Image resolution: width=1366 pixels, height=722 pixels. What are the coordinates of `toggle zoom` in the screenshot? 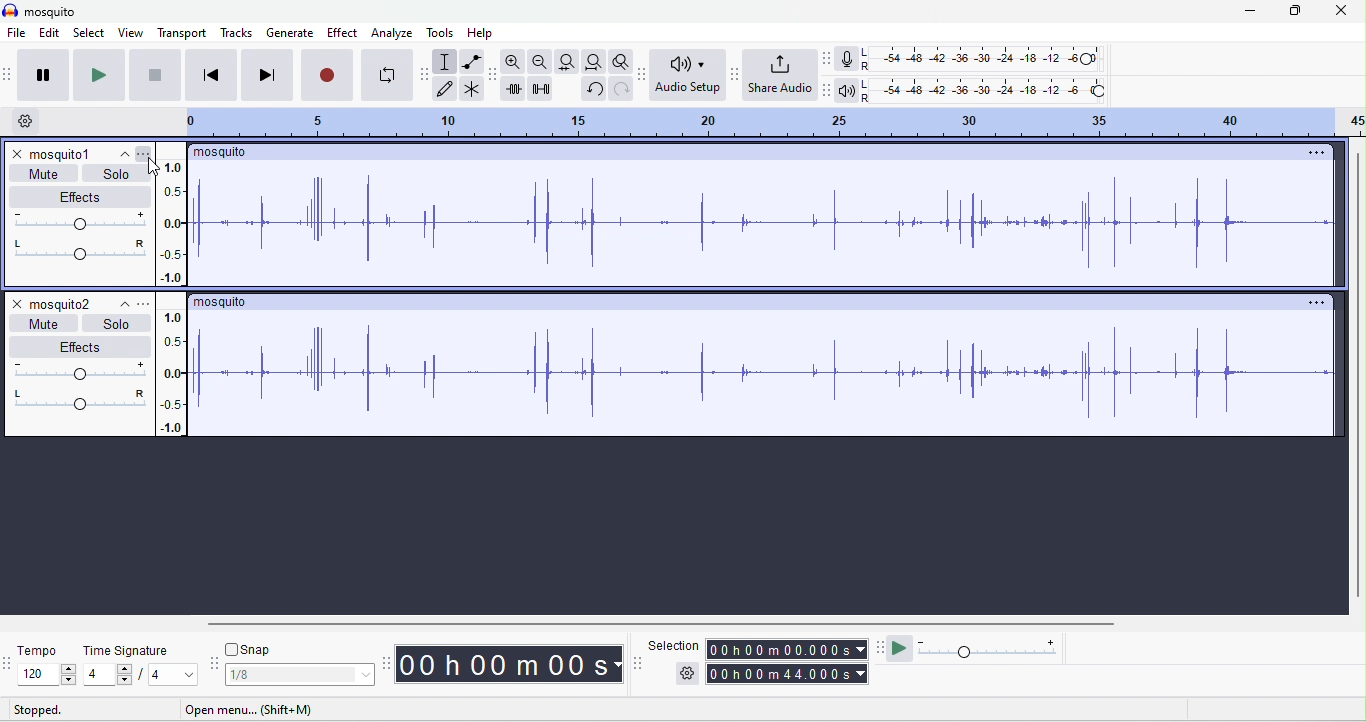 It's located at (622, 61).